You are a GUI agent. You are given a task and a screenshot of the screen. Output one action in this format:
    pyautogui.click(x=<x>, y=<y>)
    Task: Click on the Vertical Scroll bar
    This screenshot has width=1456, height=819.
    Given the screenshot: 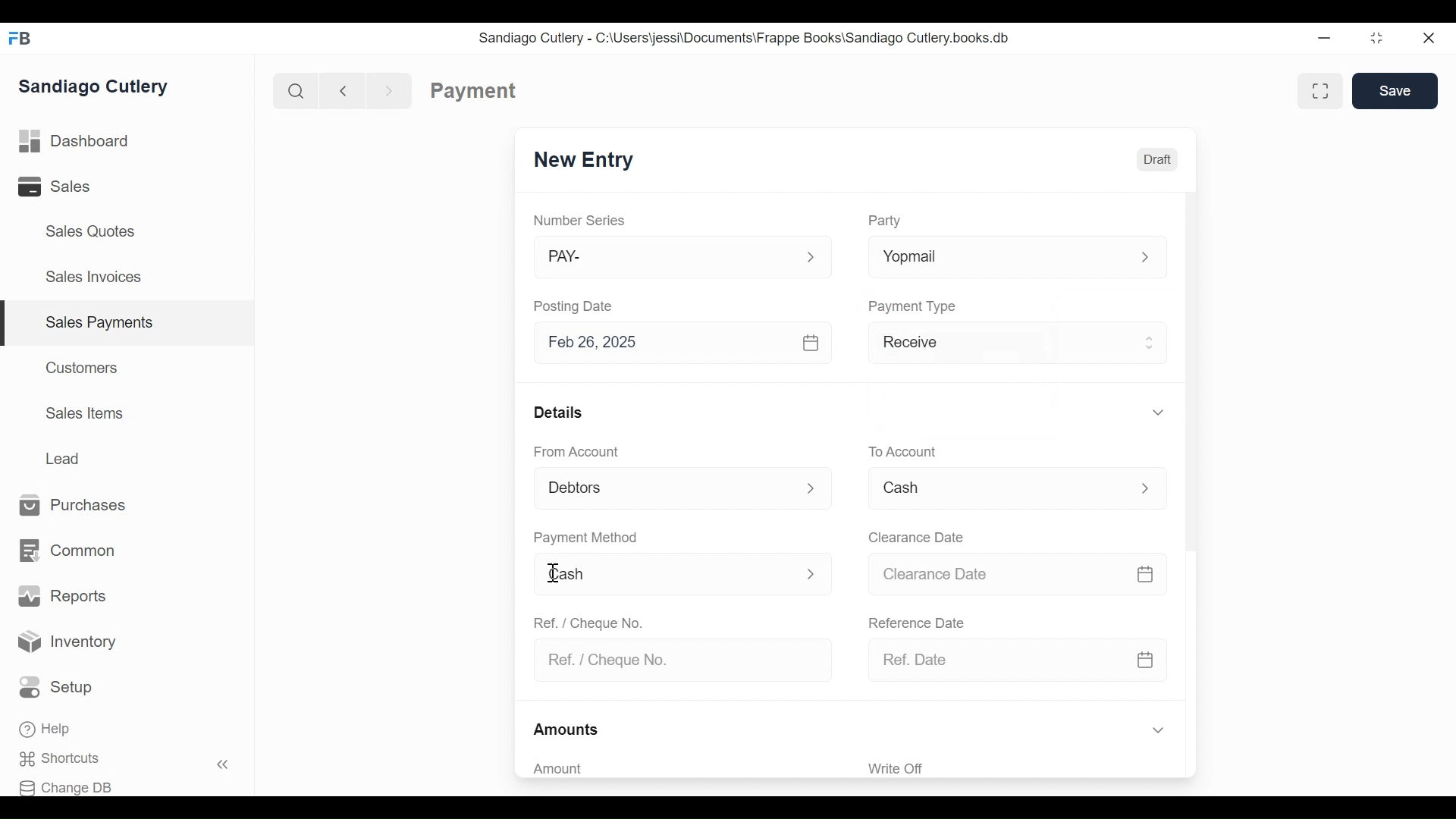 What is the action you would take?
    pyautogui.click(x=1189, y=374)
    